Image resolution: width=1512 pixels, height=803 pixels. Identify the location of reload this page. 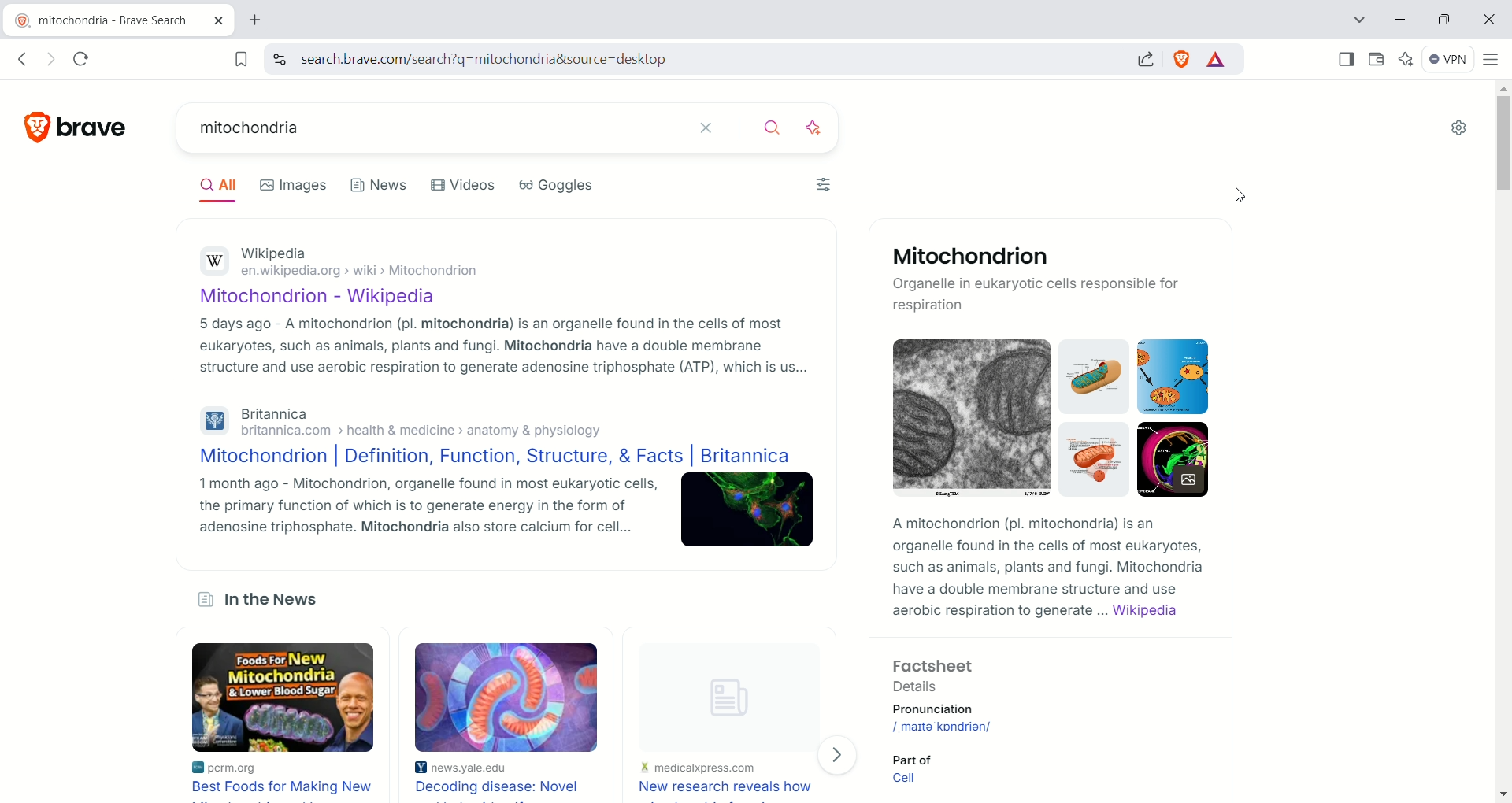
(77, 60).